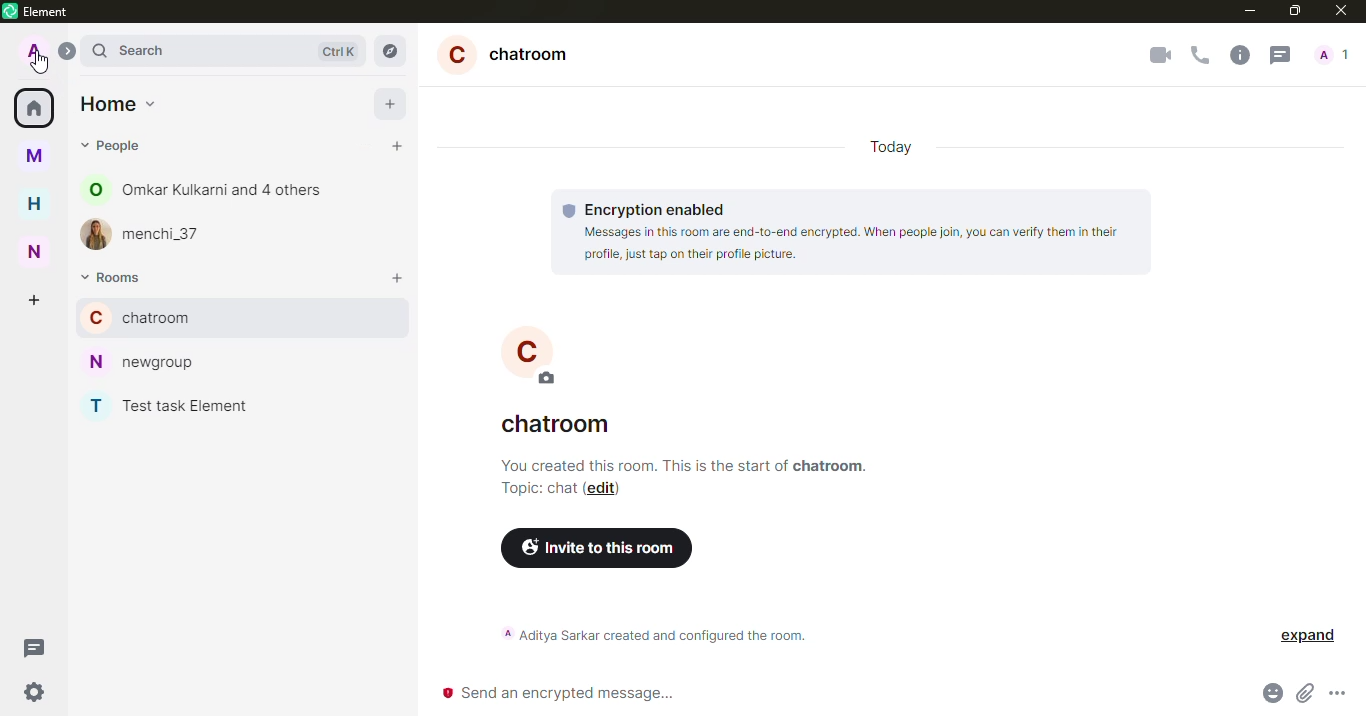  What do you see at coordinates (1244, 10) in the screenshot?
I see `minimize` at bounding box center [1244, 10].